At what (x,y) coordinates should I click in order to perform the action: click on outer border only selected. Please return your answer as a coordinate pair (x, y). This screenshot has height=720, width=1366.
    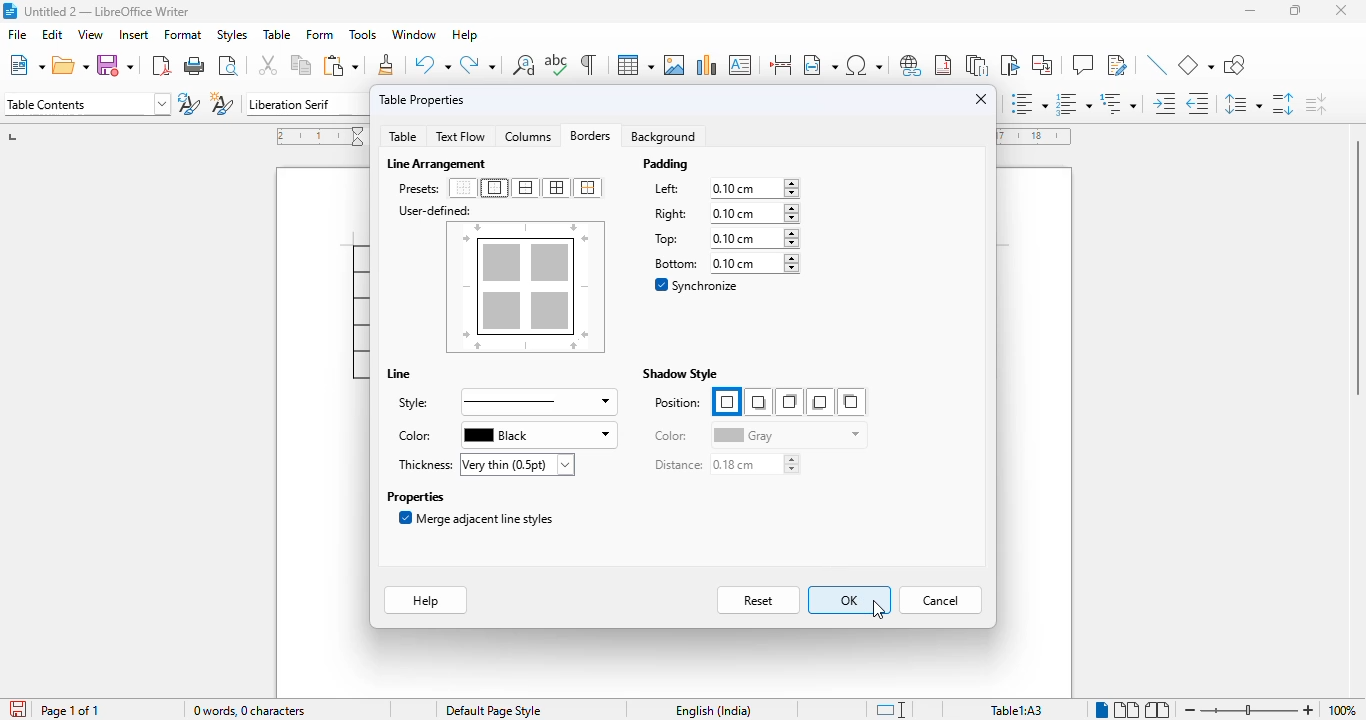
    Looking at the image, I should click on (494, 188).